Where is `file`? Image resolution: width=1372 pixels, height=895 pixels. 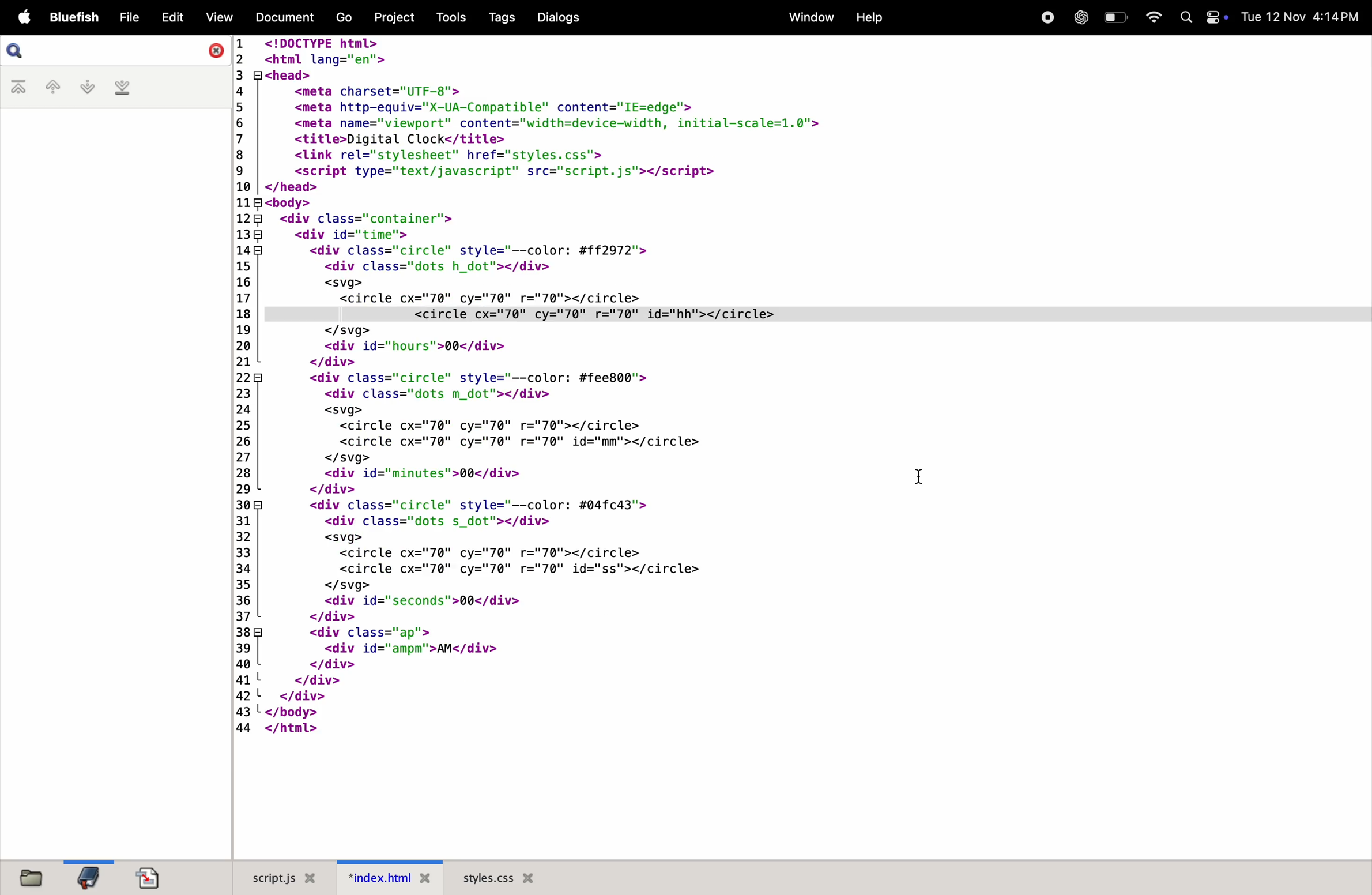 file is located at coordinates (36, 878).